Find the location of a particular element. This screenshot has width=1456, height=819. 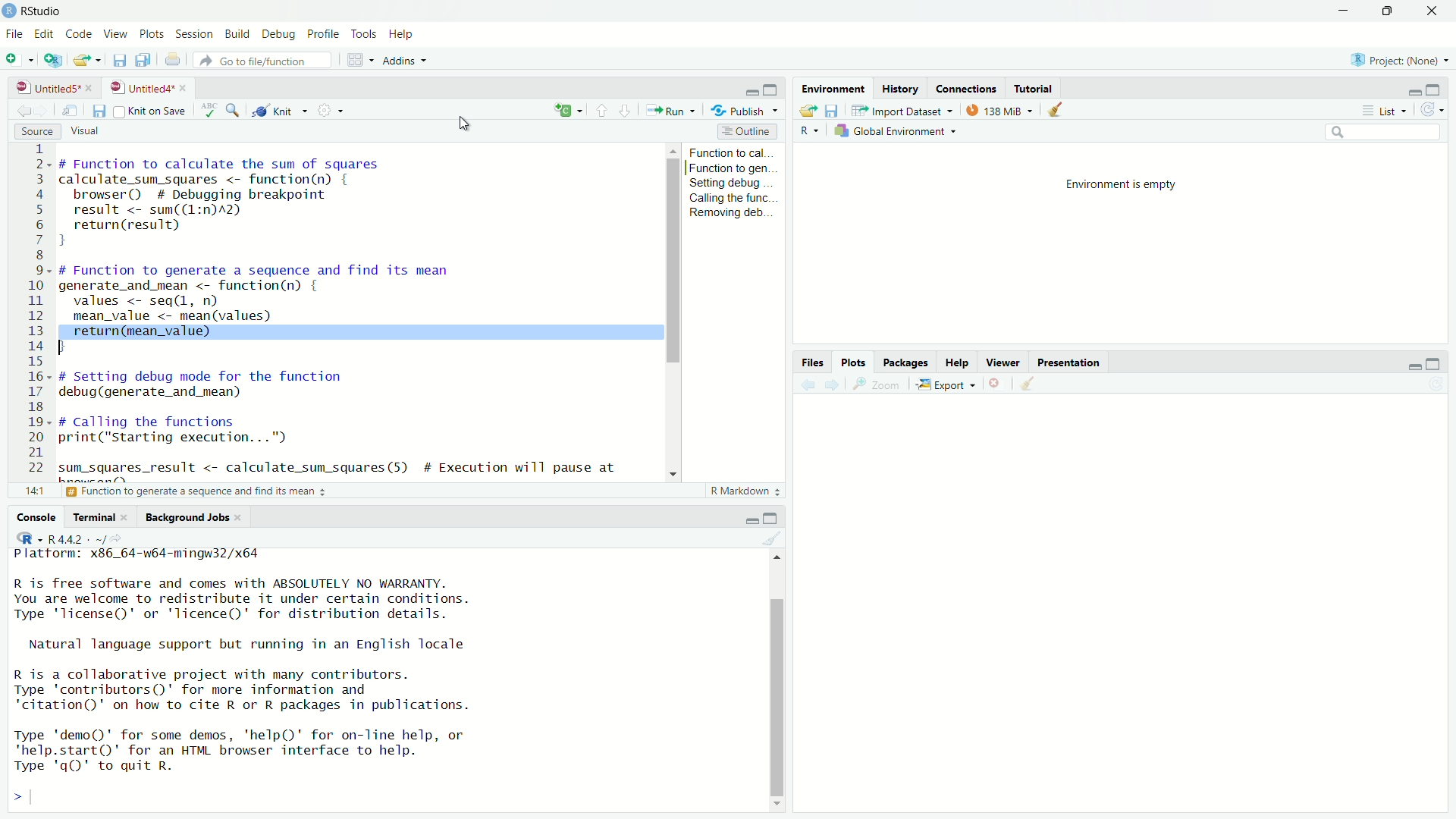

minimize is located at coordinates (746, 91).